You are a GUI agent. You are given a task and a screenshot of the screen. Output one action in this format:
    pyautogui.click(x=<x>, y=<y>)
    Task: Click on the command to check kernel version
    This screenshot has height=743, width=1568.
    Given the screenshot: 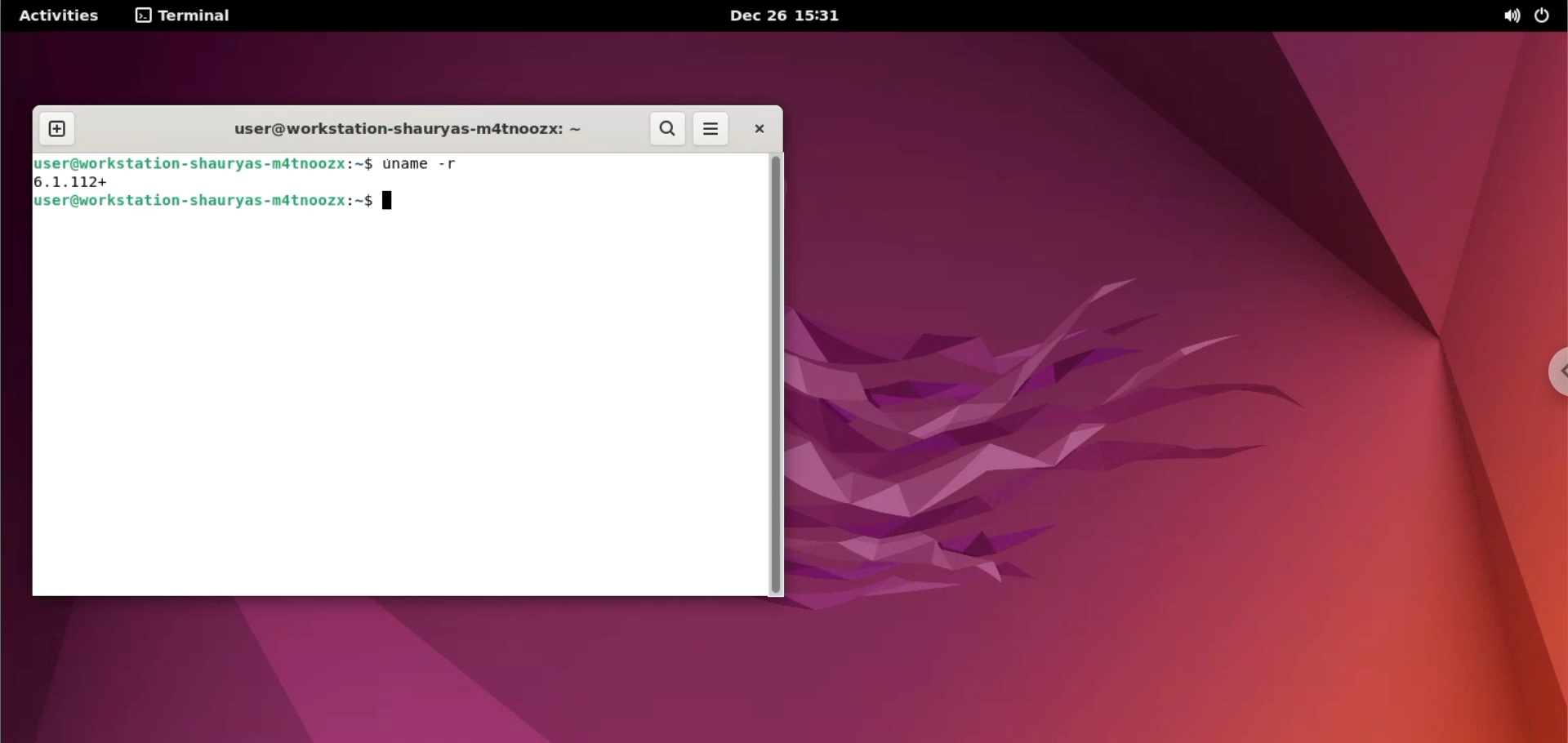 What is the action you would take?
    pyautogui.click(x=214, y=203)
    